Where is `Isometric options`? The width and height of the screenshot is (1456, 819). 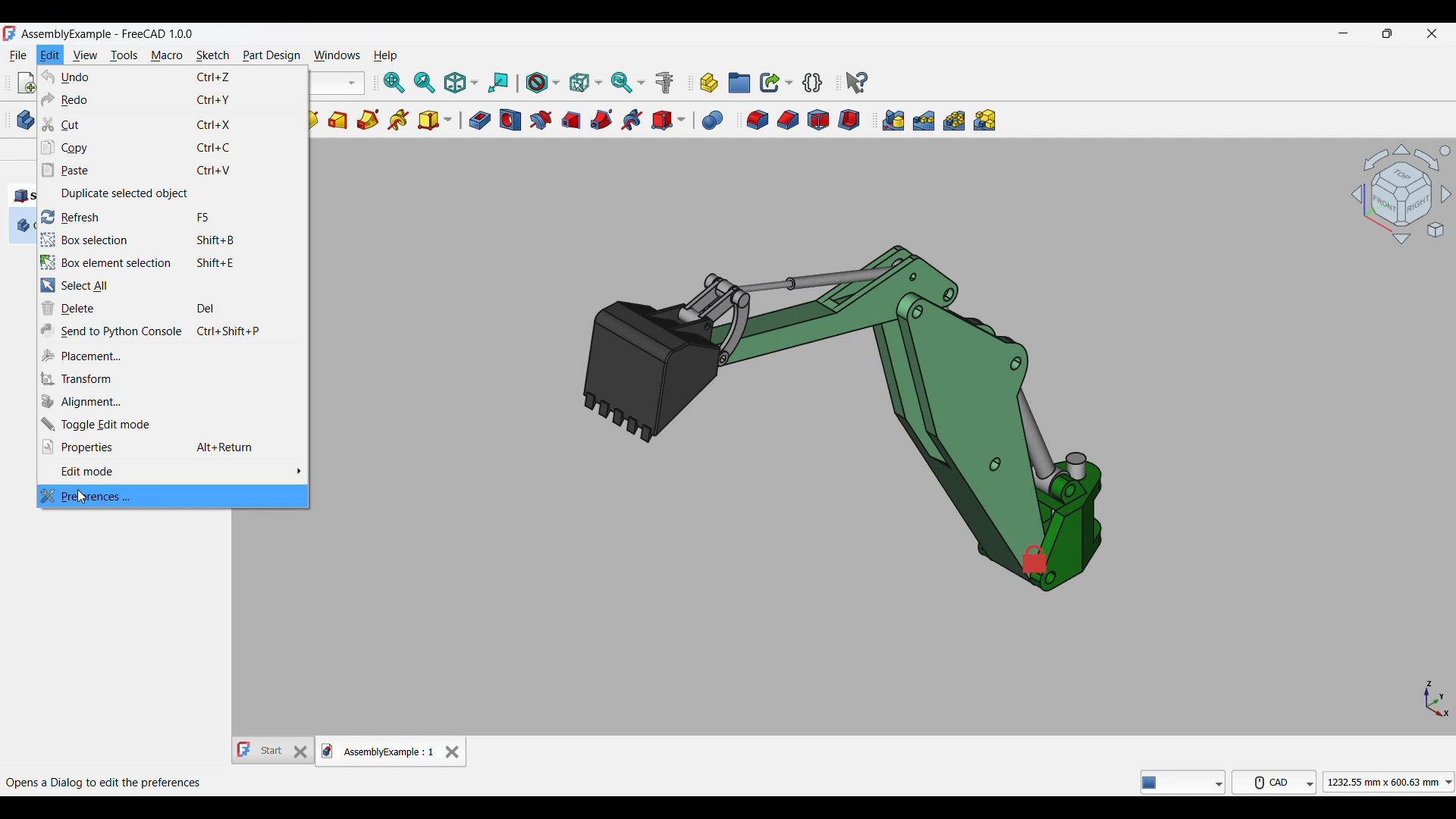 Isometric options is located at coordinates (461, 83).